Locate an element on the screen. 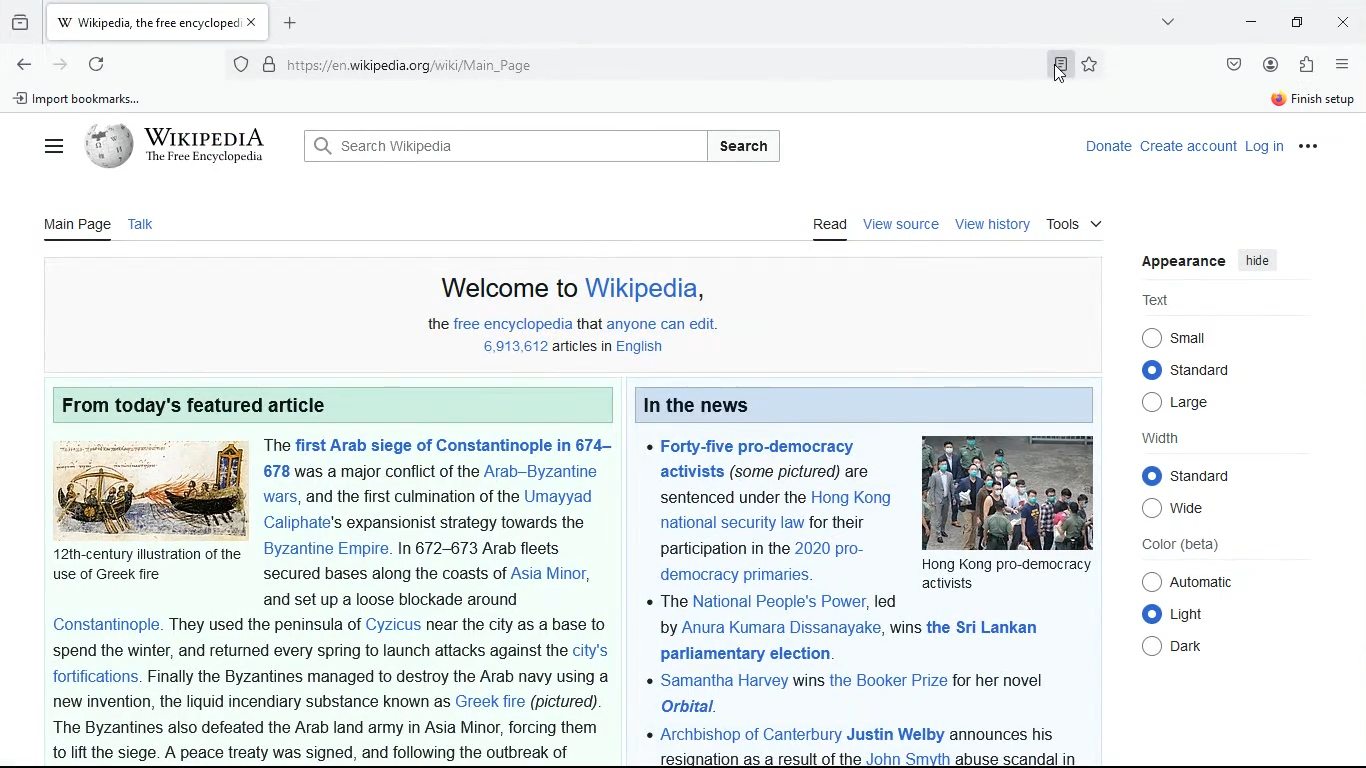  toggle reader view is located at coordinates (1056, 66).